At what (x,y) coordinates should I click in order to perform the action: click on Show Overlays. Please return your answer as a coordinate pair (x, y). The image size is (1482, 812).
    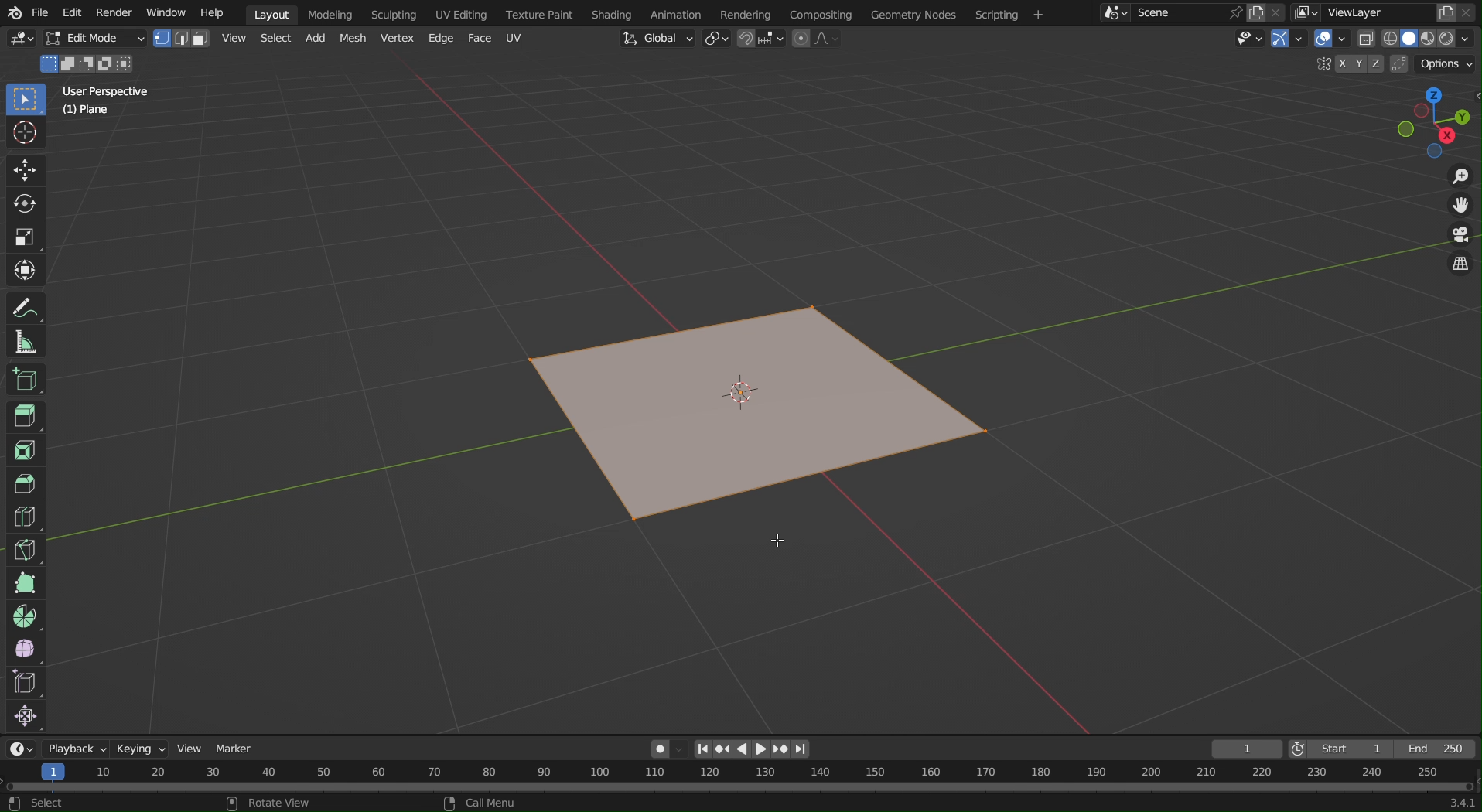
    Looking at the image, I should click on (1330, 42).